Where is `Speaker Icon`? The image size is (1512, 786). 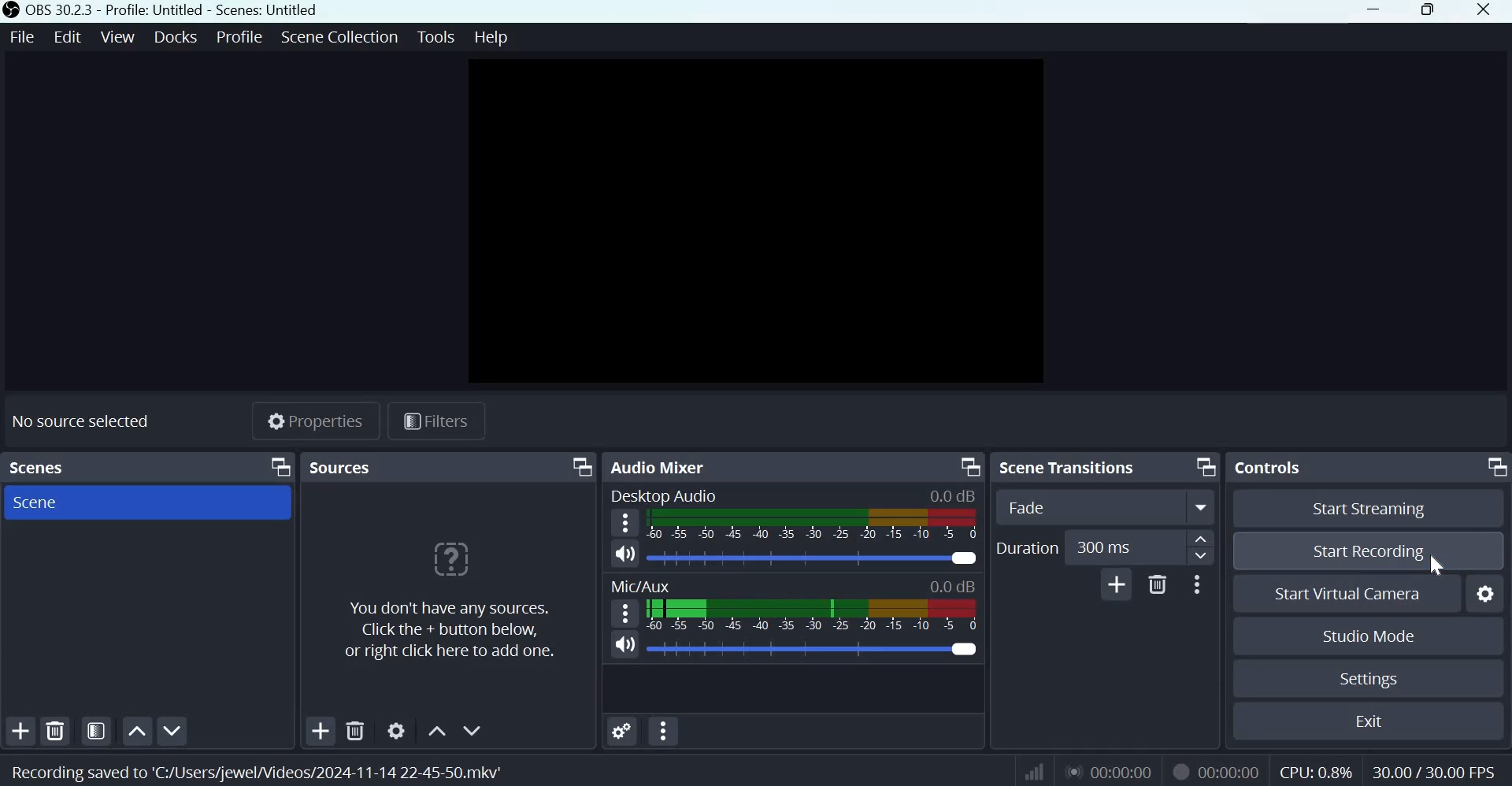
Speaker Icon is located at coordinates (626, 644).